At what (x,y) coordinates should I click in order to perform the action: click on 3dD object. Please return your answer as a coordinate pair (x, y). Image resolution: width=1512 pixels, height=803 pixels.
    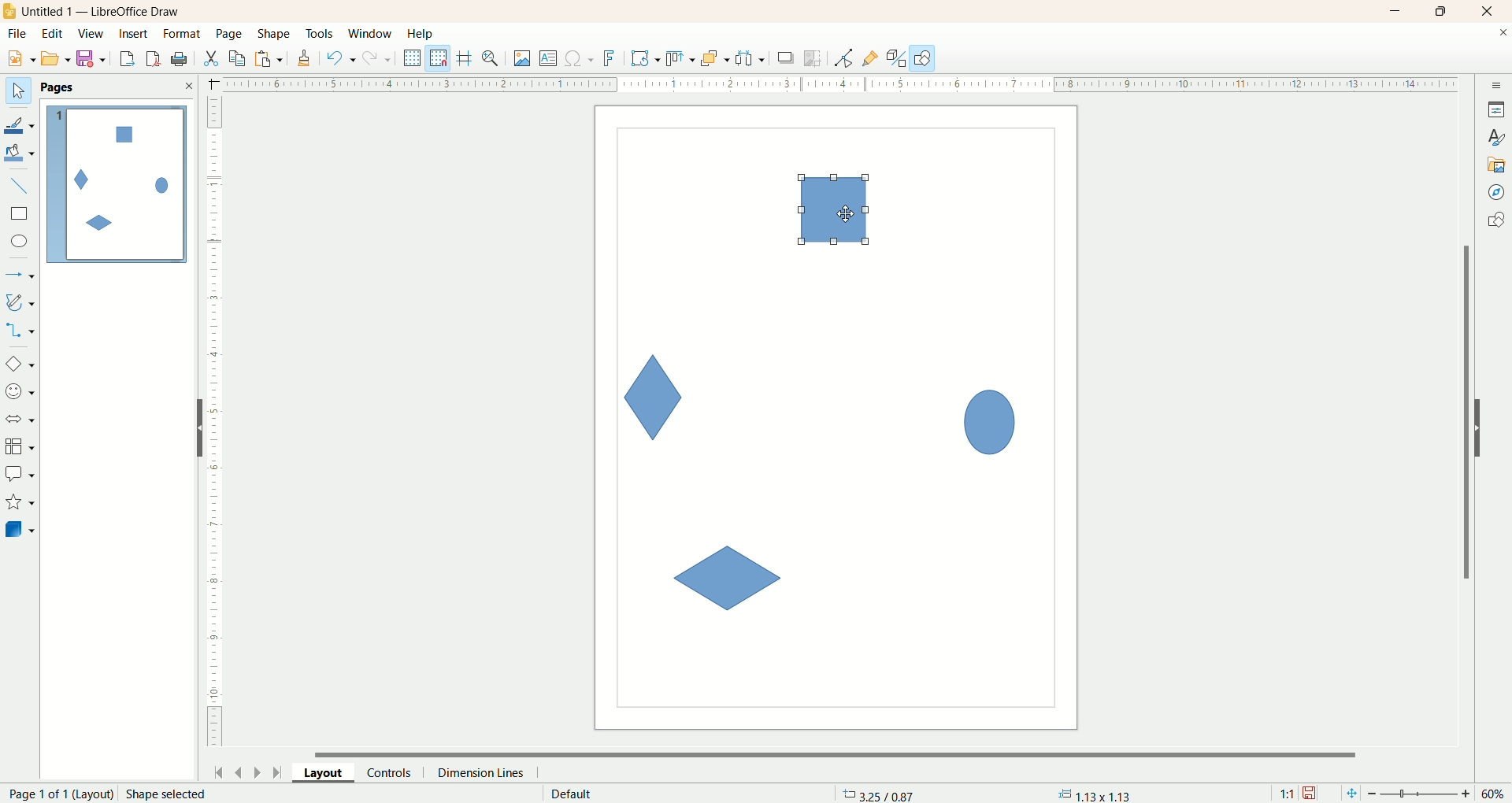
    Looking at the image, I should click on (19, 529).